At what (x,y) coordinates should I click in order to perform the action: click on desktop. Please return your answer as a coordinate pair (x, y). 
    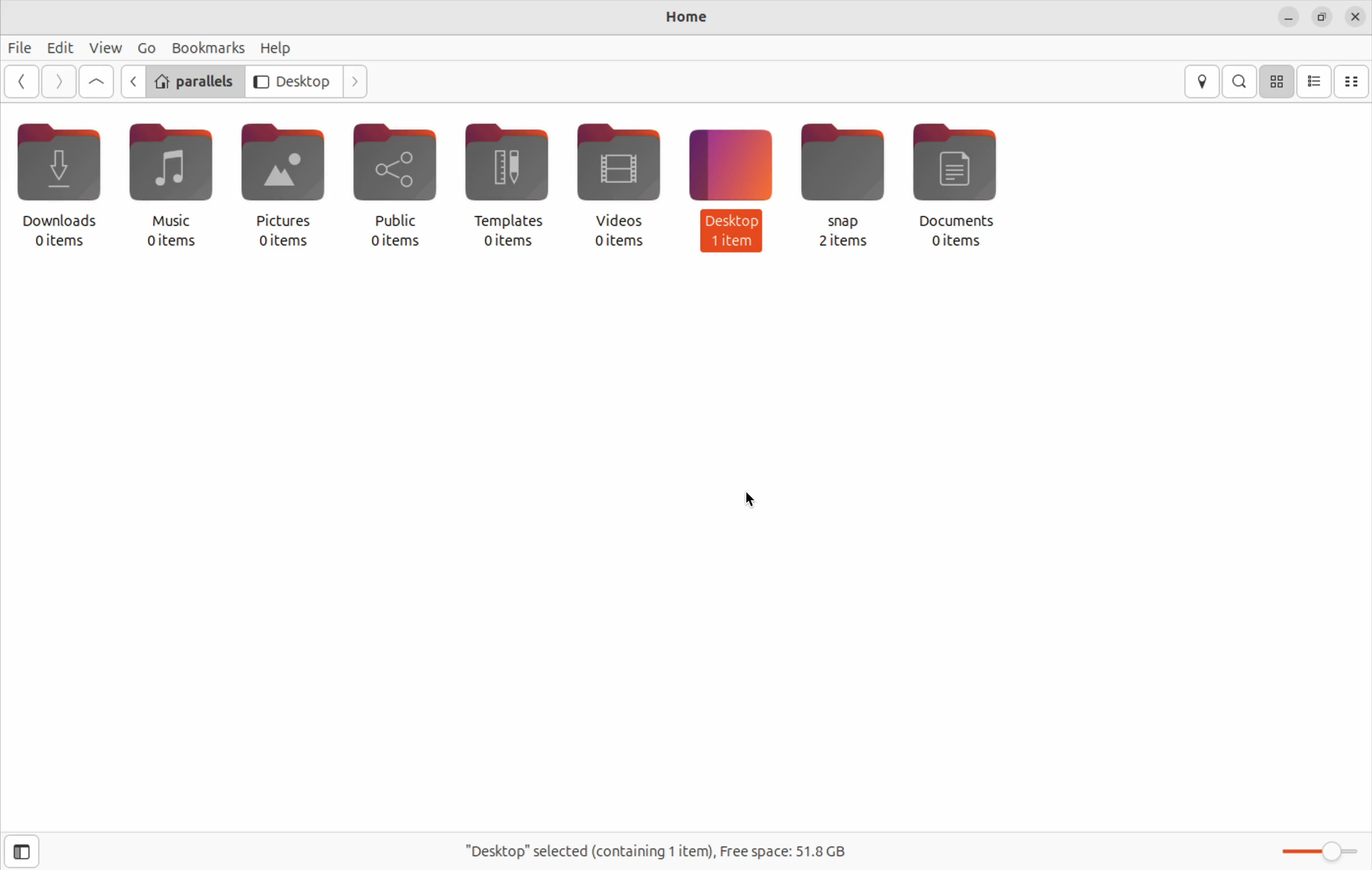
    Looking at the image, I should click on (292, 80).